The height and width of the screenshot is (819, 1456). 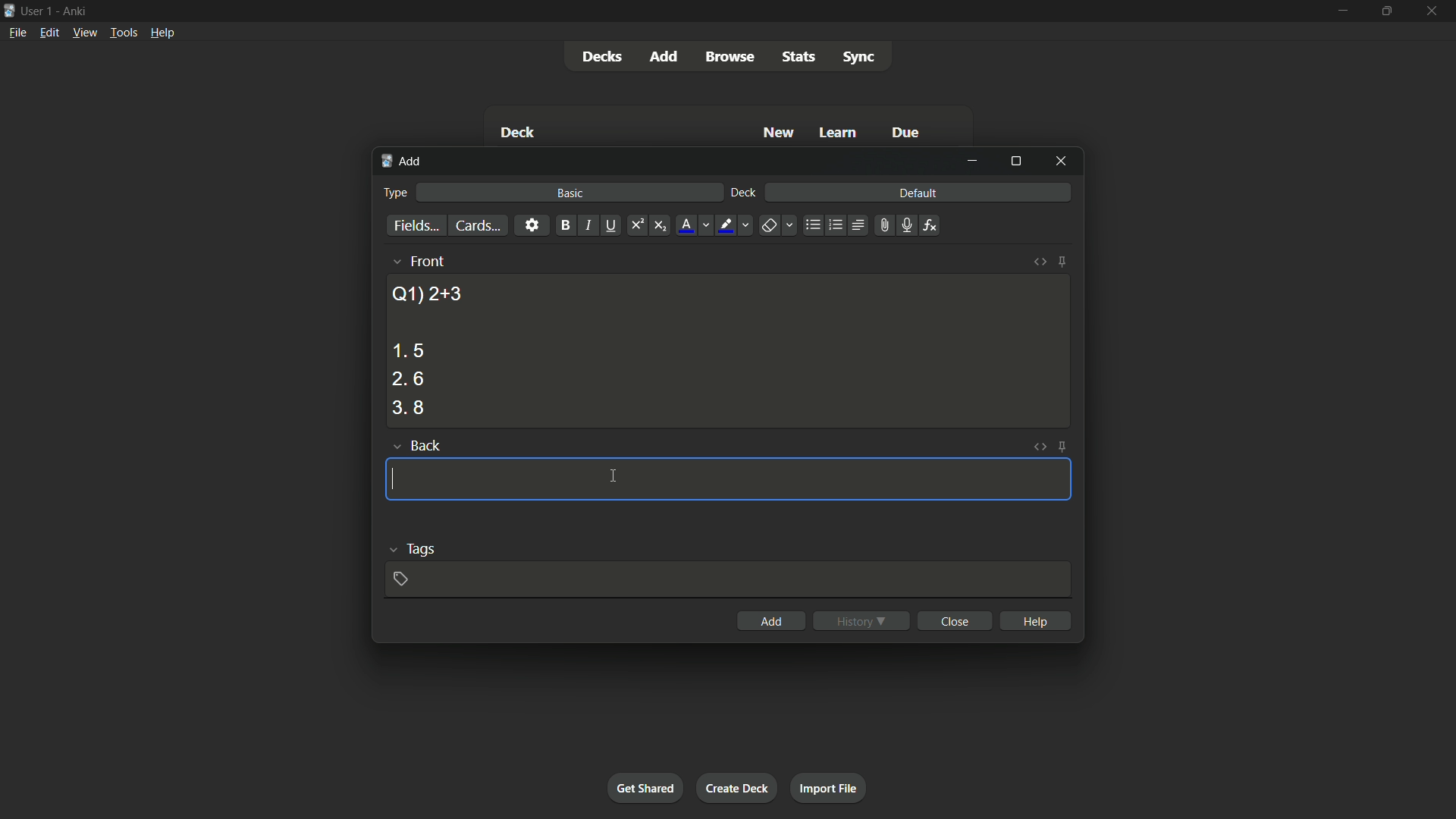 I want to click on maximize, so click(x=1015, y=161).